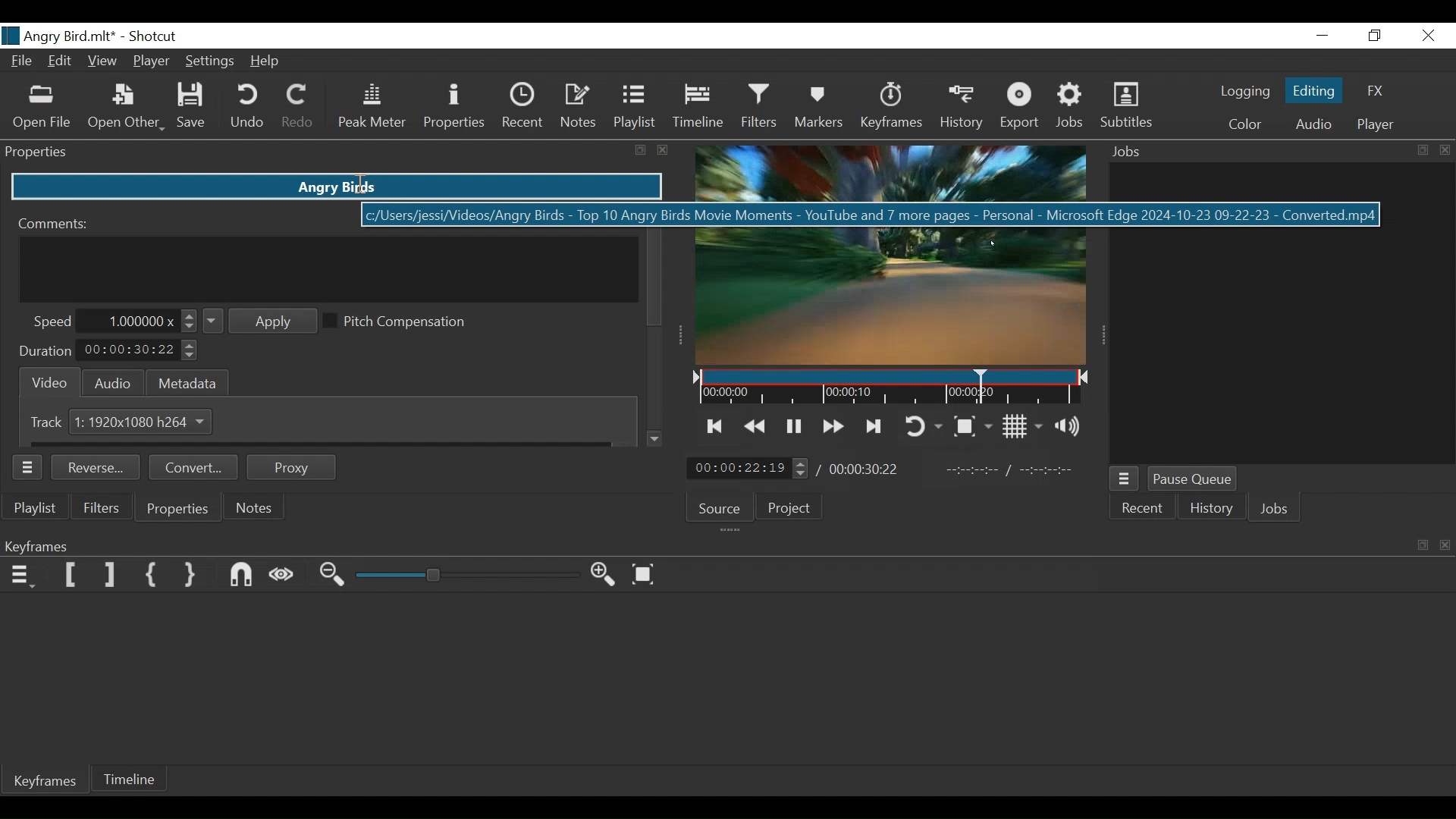 This screenshot has height=819, width=1456. Describe the element at coordinates (794, 507) in the screenshot. I see `Project` at that location.